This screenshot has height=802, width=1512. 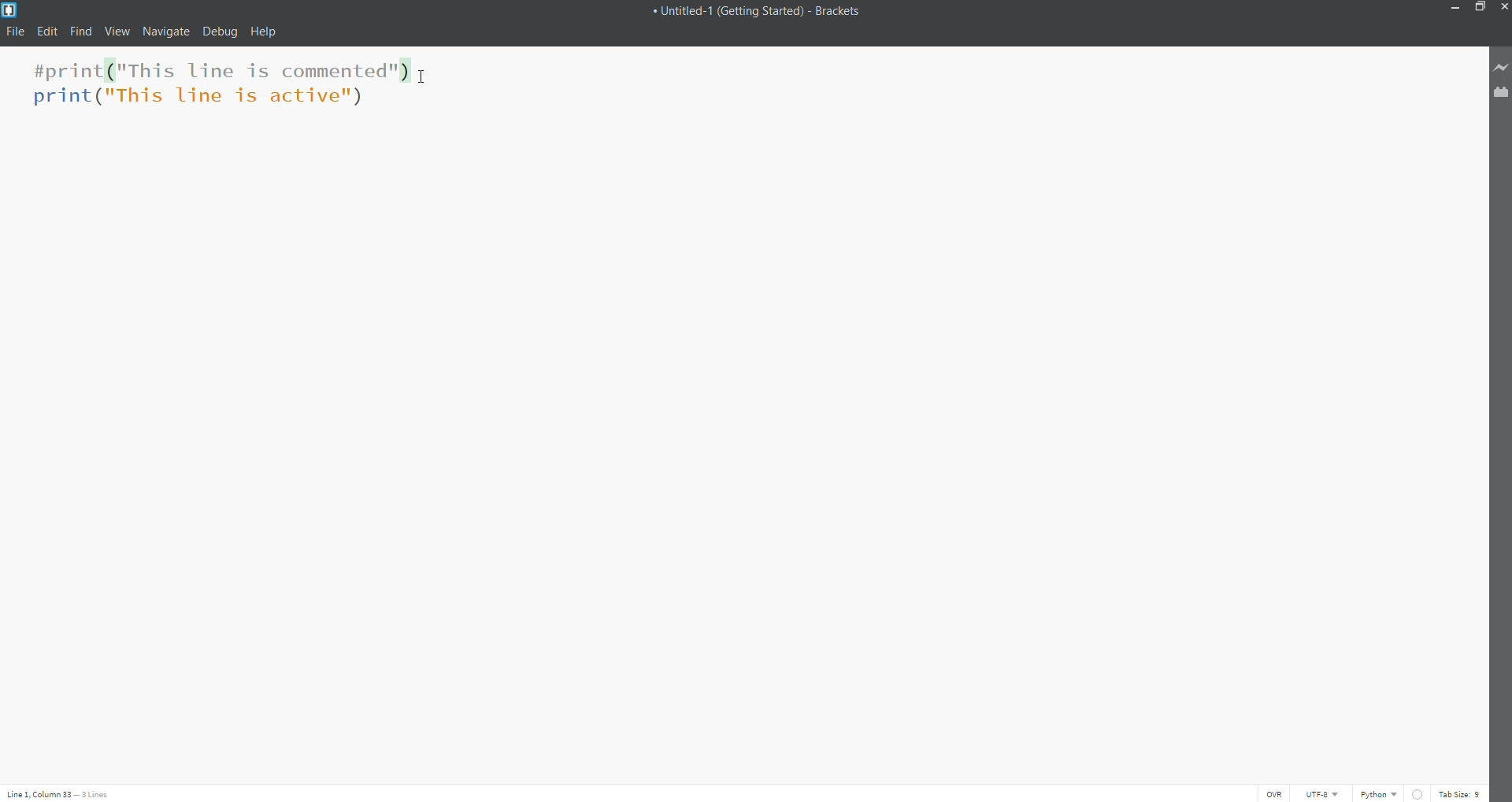 What do you see at coordinates (766, 12) in the screenshot?
I see `Title` at bounding box center [766, 12].